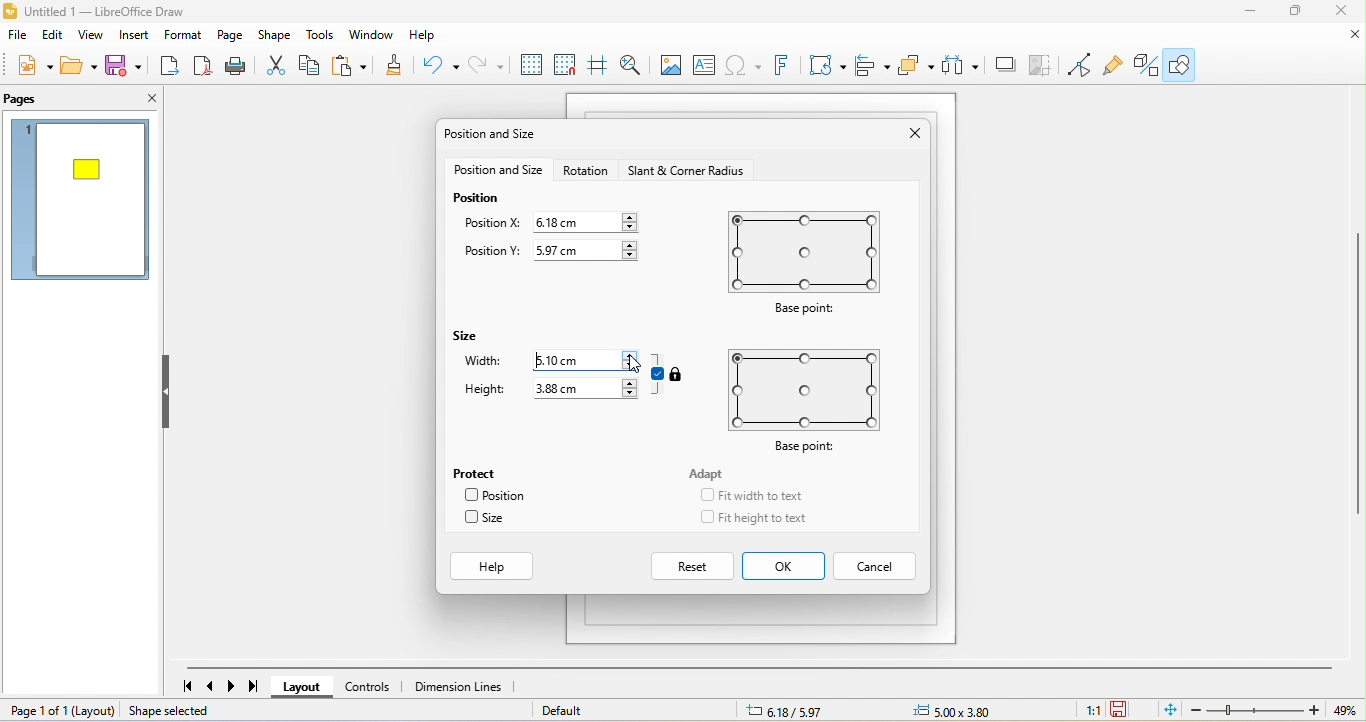 This screenshot has height=722, width=1366. I want to click on close, so click(911, 134).